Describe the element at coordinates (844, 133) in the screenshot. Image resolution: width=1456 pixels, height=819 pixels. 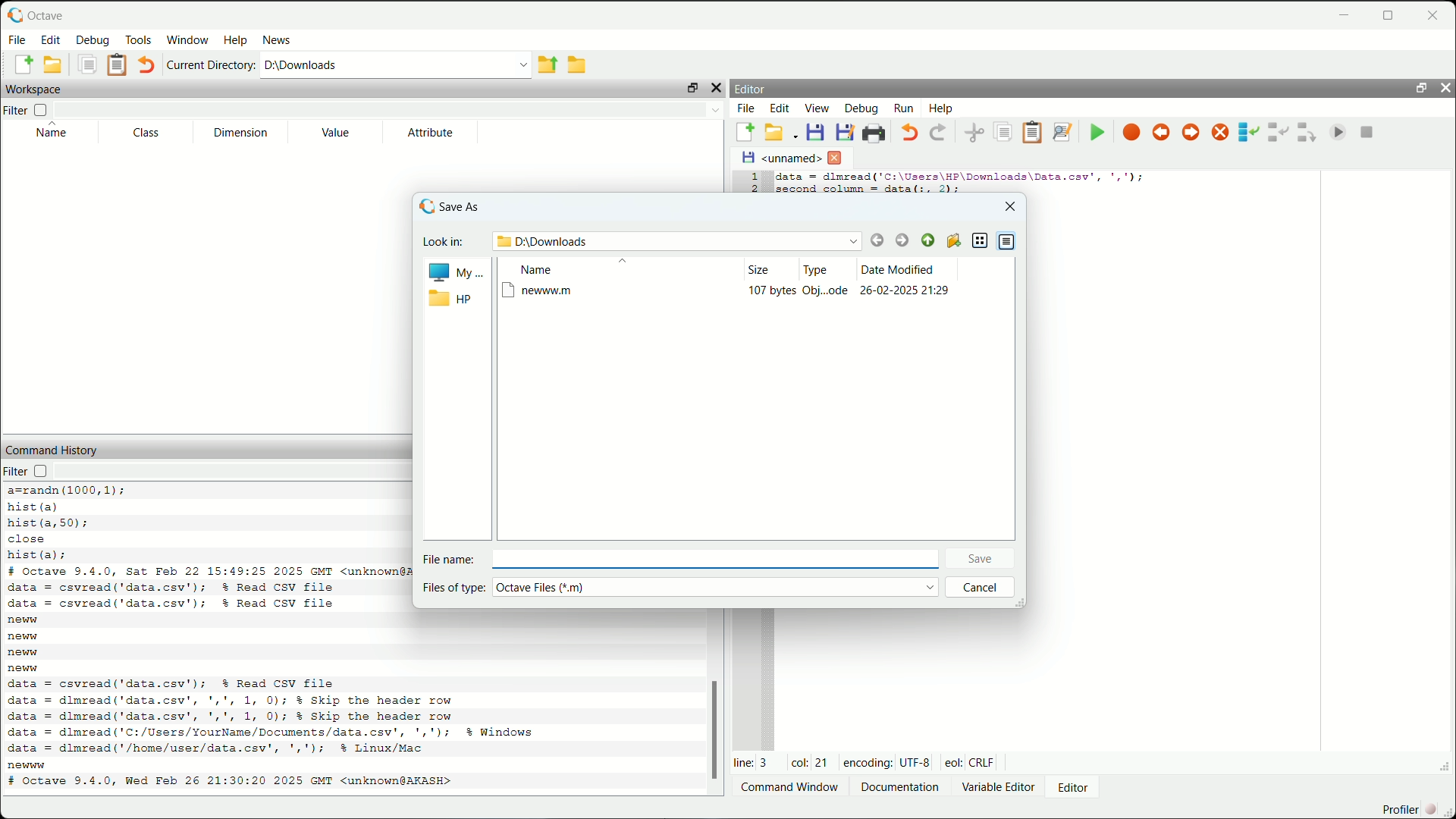
I see `save file as` at that location.